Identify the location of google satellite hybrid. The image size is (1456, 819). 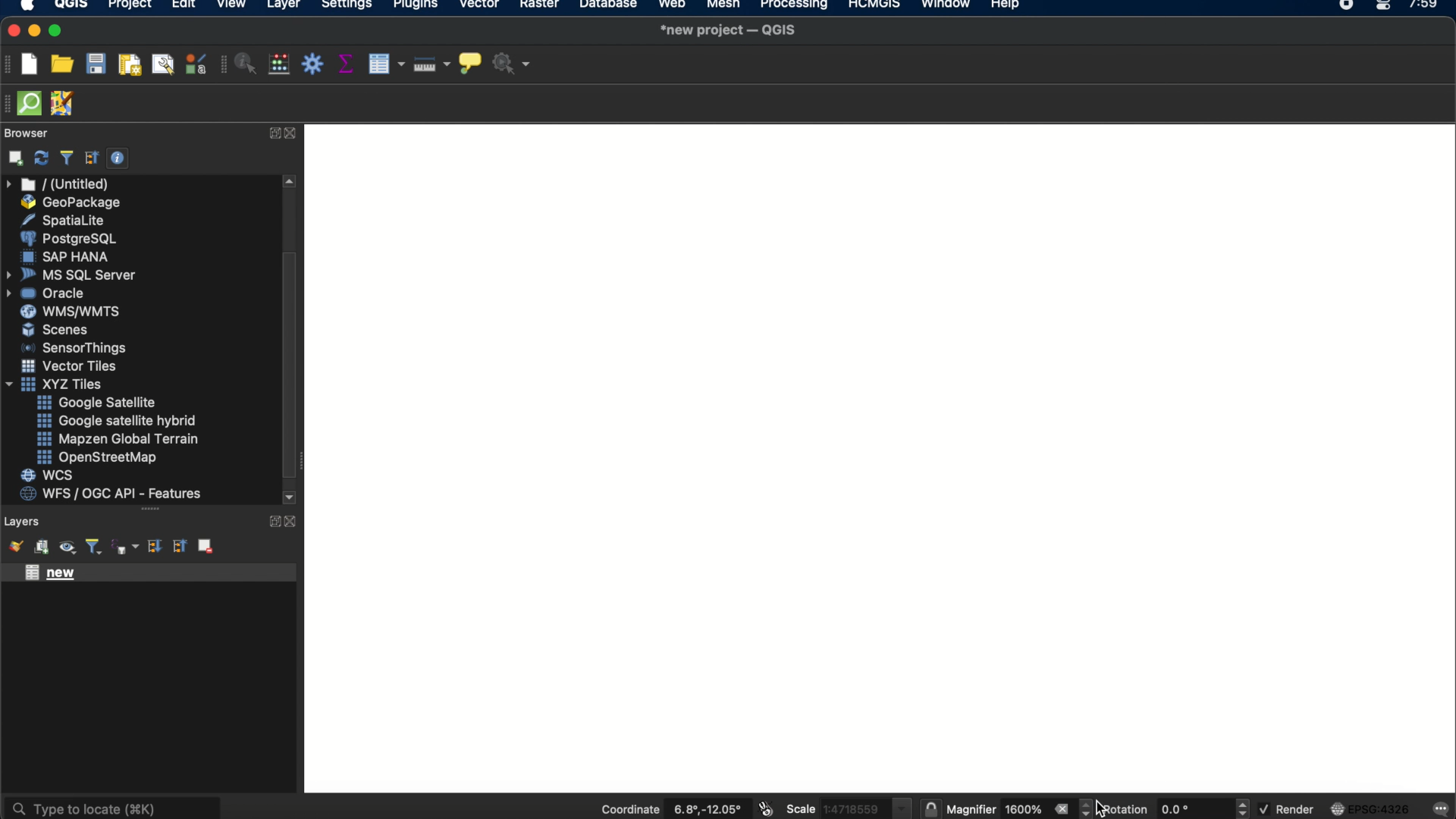
(118, 421).